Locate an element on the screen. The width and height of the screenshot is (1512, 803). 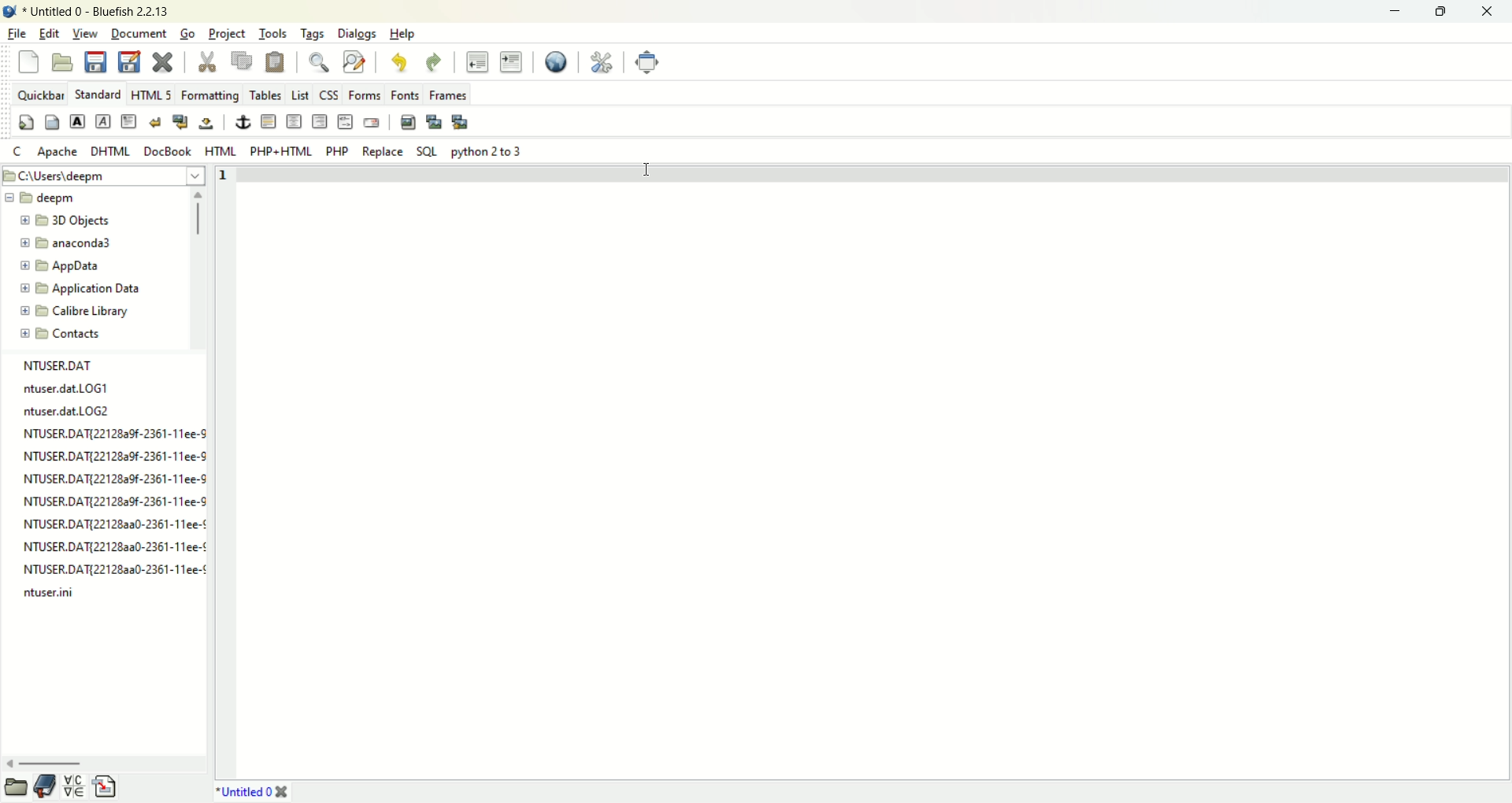
NTUSER.DAT{22128a9f-2361-11ee-S is located at coordinates (114, 499).